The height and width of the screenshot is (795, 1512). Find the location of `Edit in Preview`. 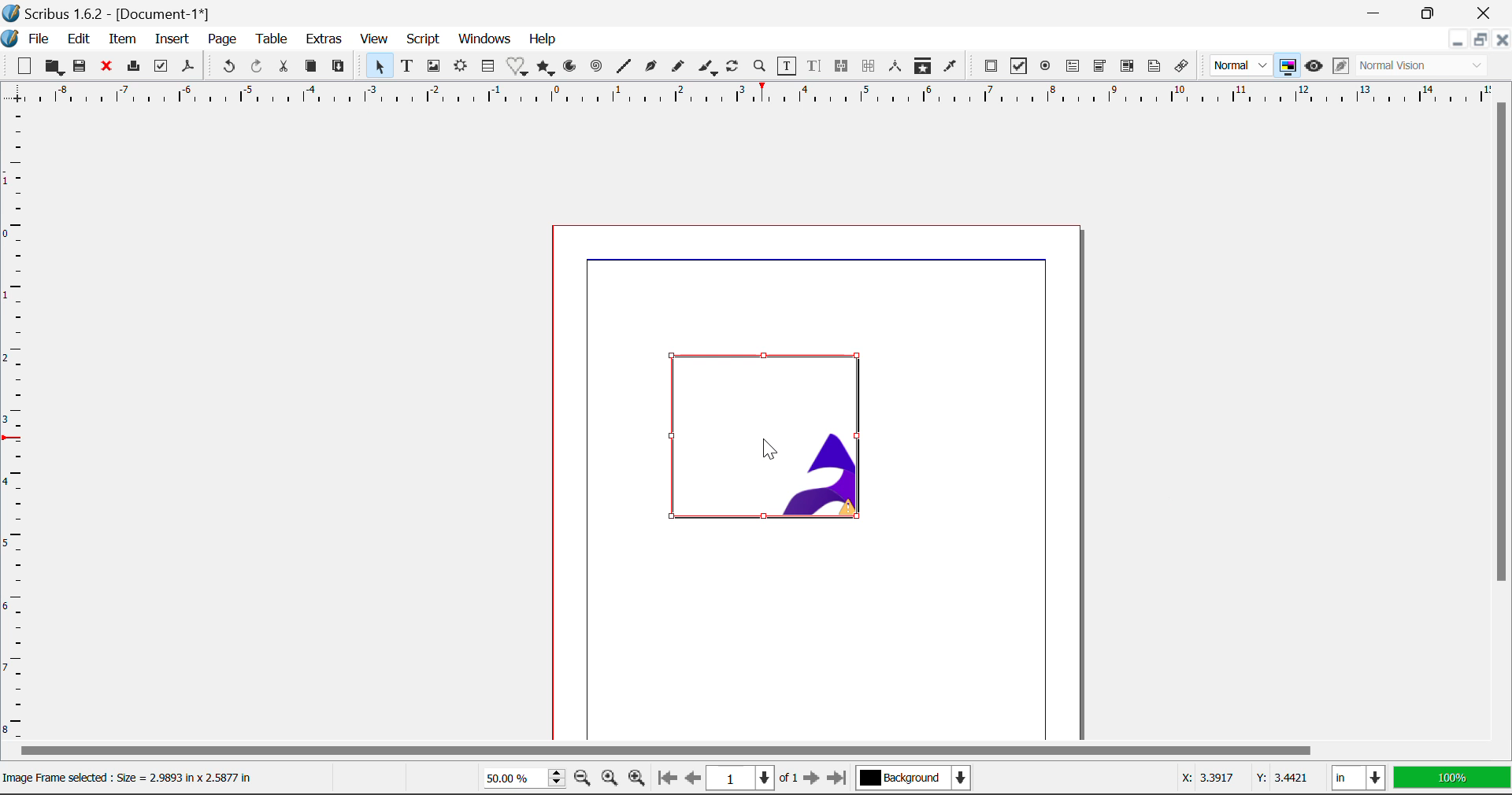

Edit in Preview is located at coordinates (1339, 68).